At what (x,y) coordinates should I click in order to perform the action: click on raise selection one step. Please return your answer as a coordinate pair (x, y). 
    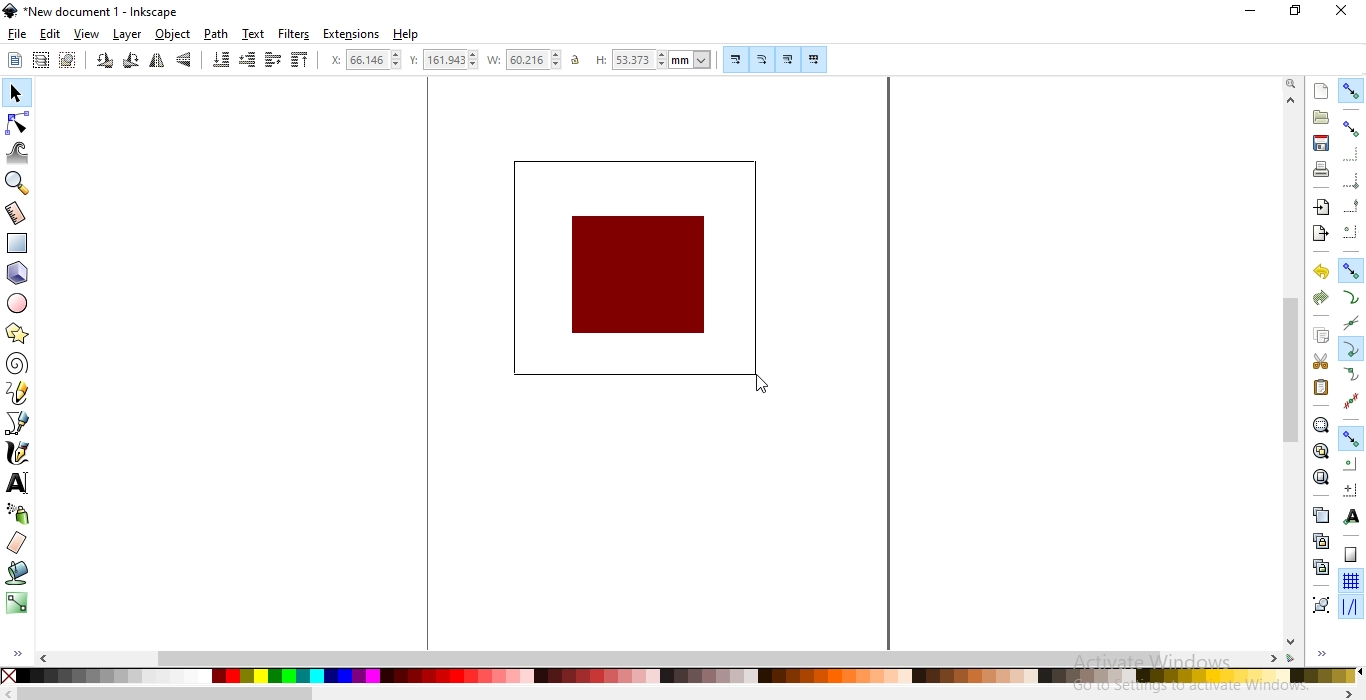
    Looking at the image, I should click on (273, 60).